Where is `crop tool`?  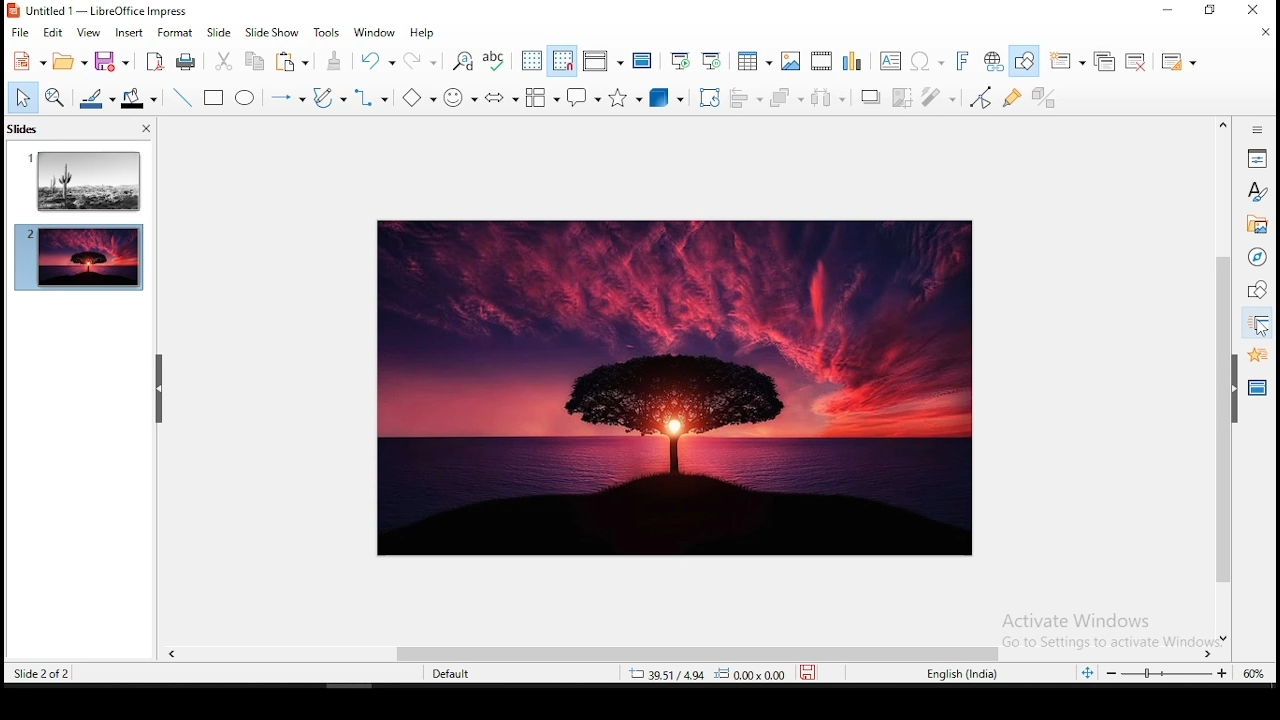
crop tool is located at coordinates (709, 96).